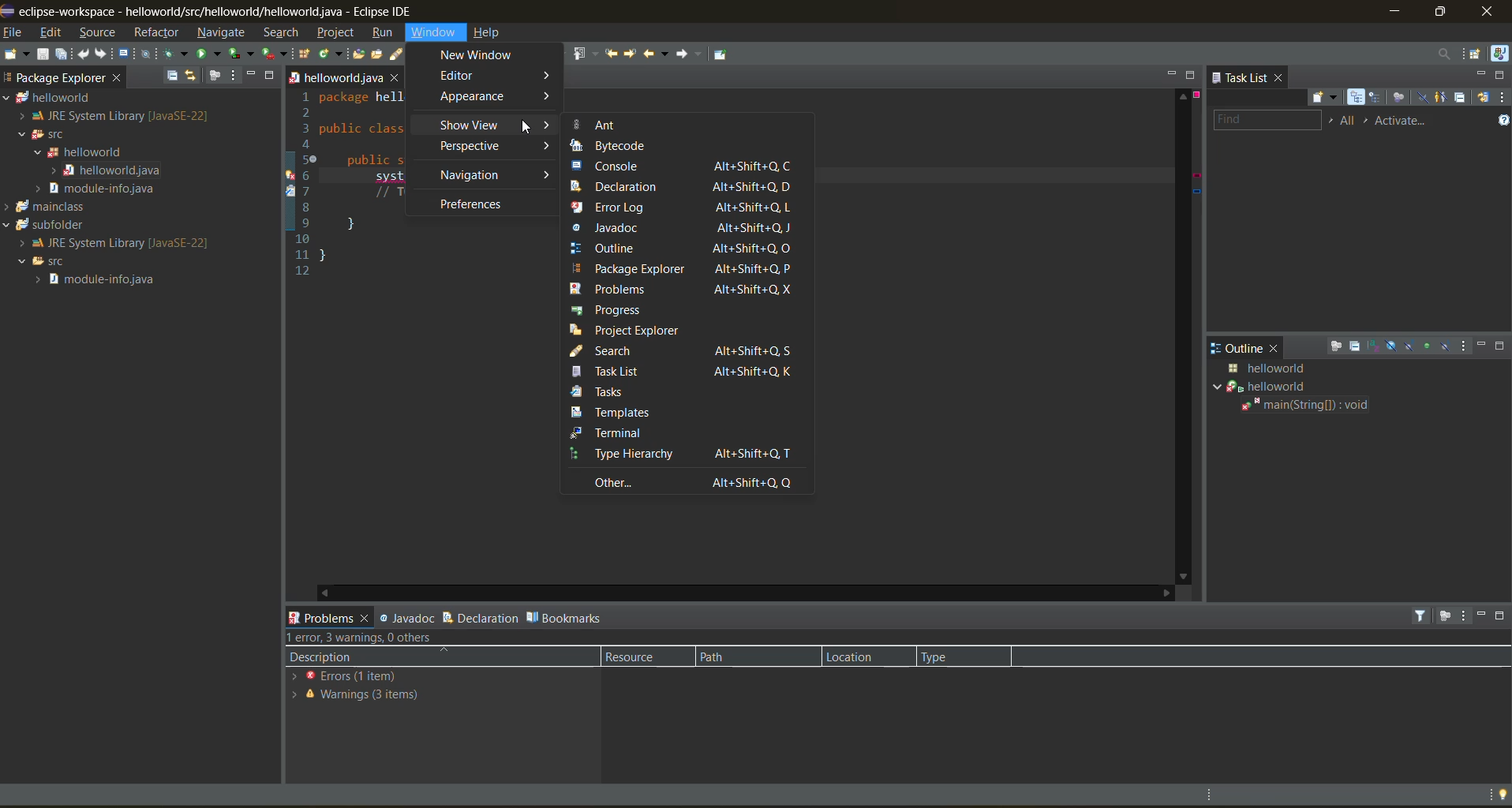 The image size is (1512, 808). What do you see at coordinates (657, 54) in the screenshot?
I see `back` at bounding box center [657, 54].